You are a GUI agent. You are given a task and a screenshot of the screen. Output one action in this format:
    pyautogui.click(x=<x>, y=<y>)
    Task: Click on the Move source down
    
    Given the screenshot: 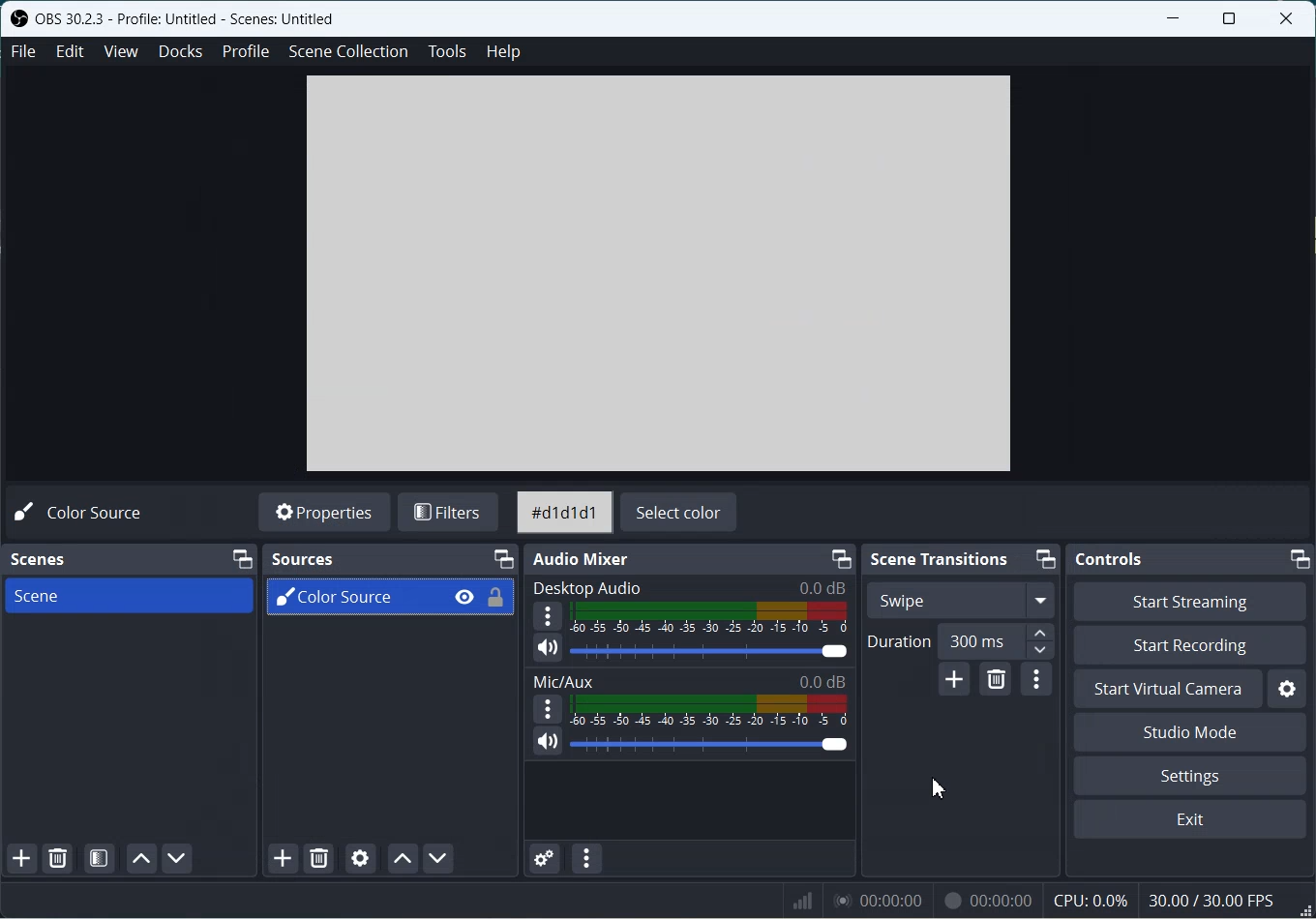 What is the action you would take?
    pyautogui.click(x=438, y=858)
    